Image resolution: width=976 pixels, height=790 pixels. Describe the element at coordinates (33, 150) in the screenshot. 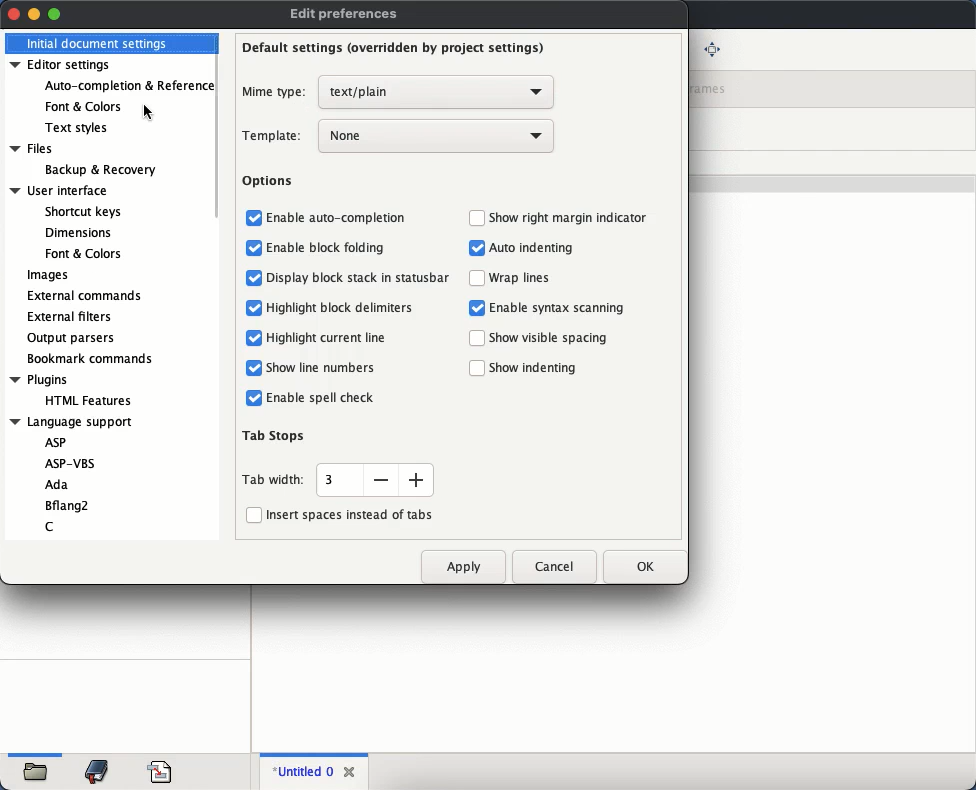

I see `files` at that location.